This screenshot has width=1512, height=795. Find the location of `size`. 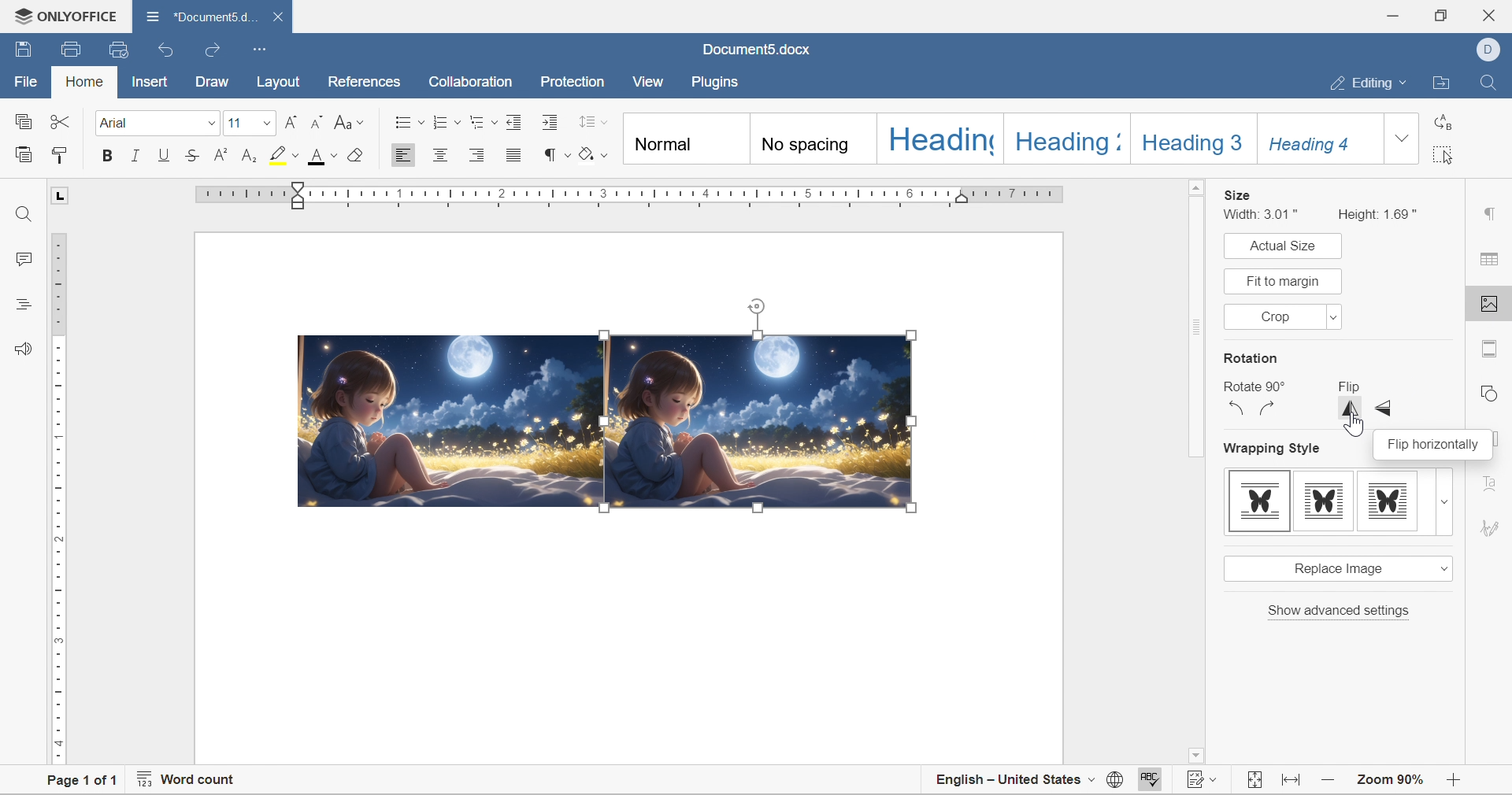

size is located at coordinates (1237, 194).